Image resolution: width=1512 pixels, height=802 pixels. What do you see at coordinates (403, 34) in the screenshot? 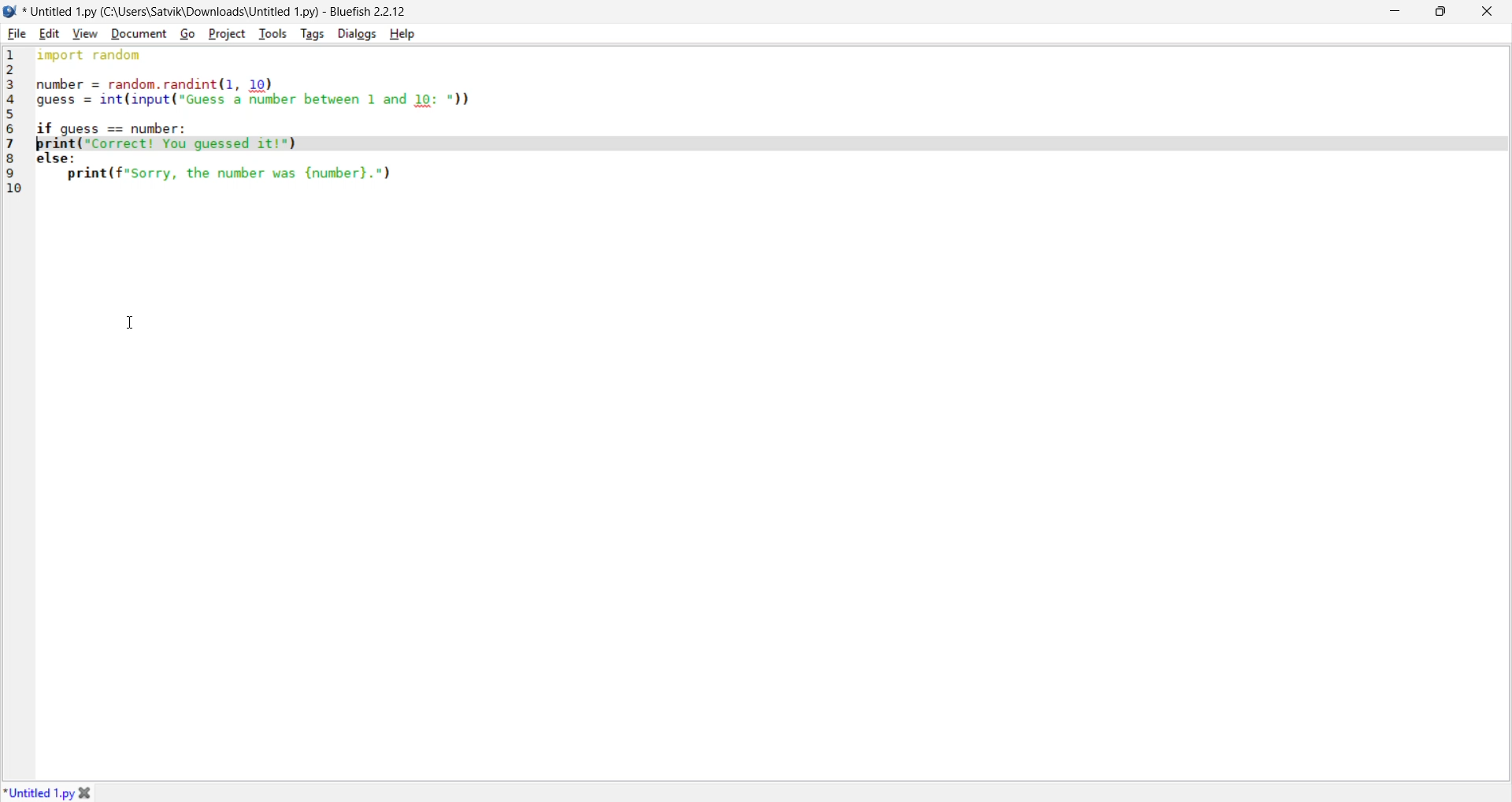
I see `help` at bounding box center [403, 34].